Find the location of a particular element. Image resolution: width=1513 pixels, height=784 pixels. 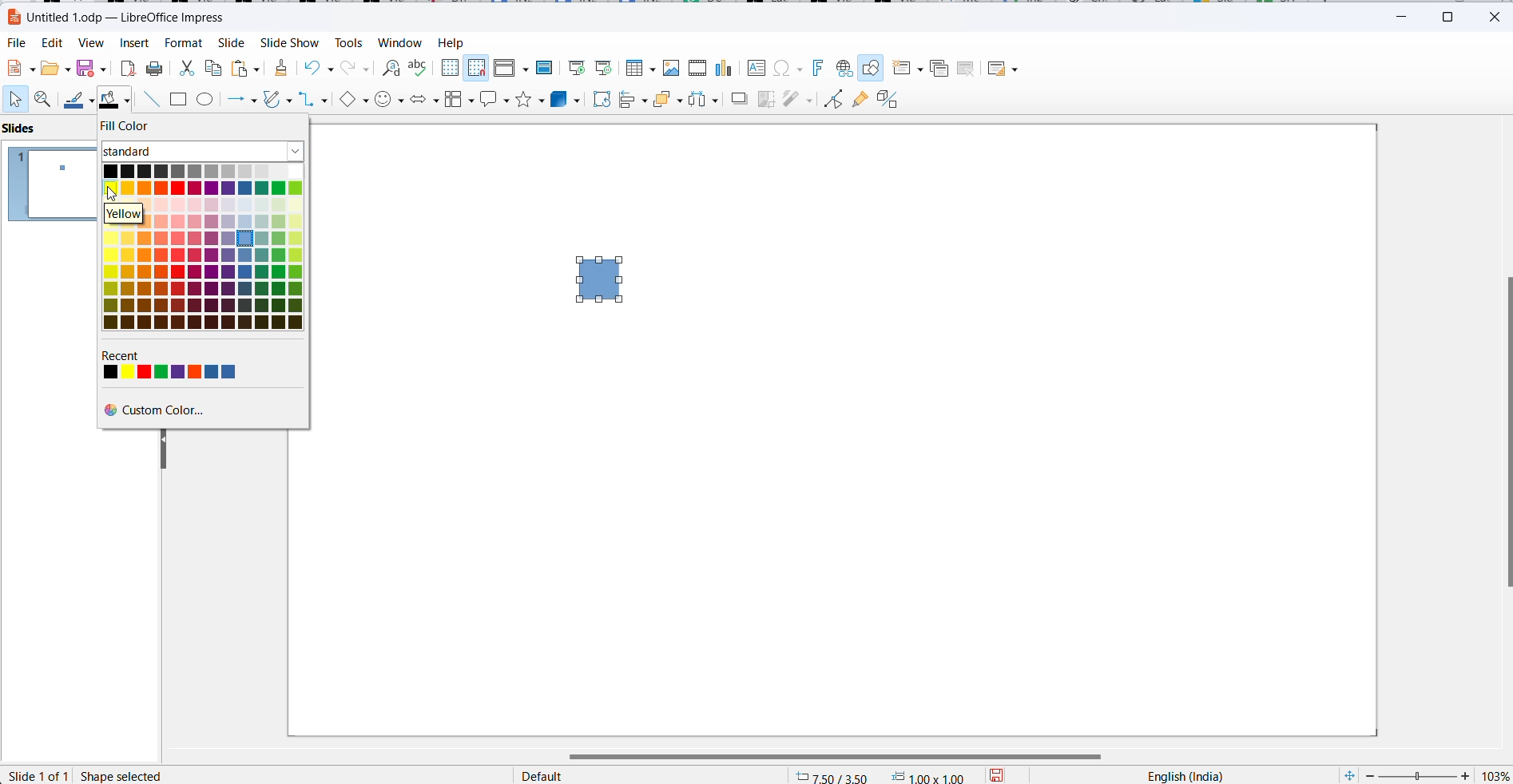

filters is located at coordinates (798, 98).